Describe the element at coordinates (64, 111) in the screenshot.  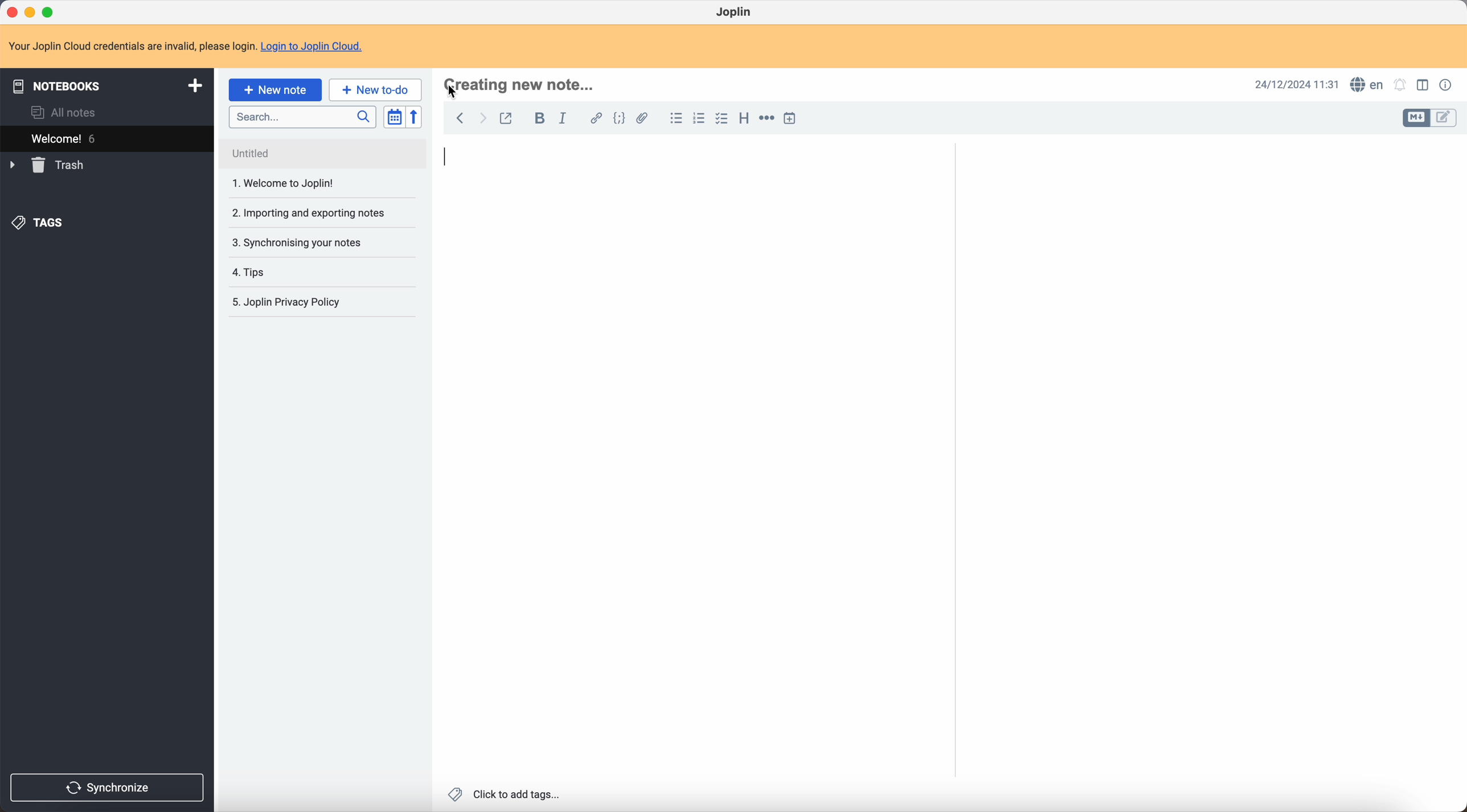
I see `all notes` at that location.